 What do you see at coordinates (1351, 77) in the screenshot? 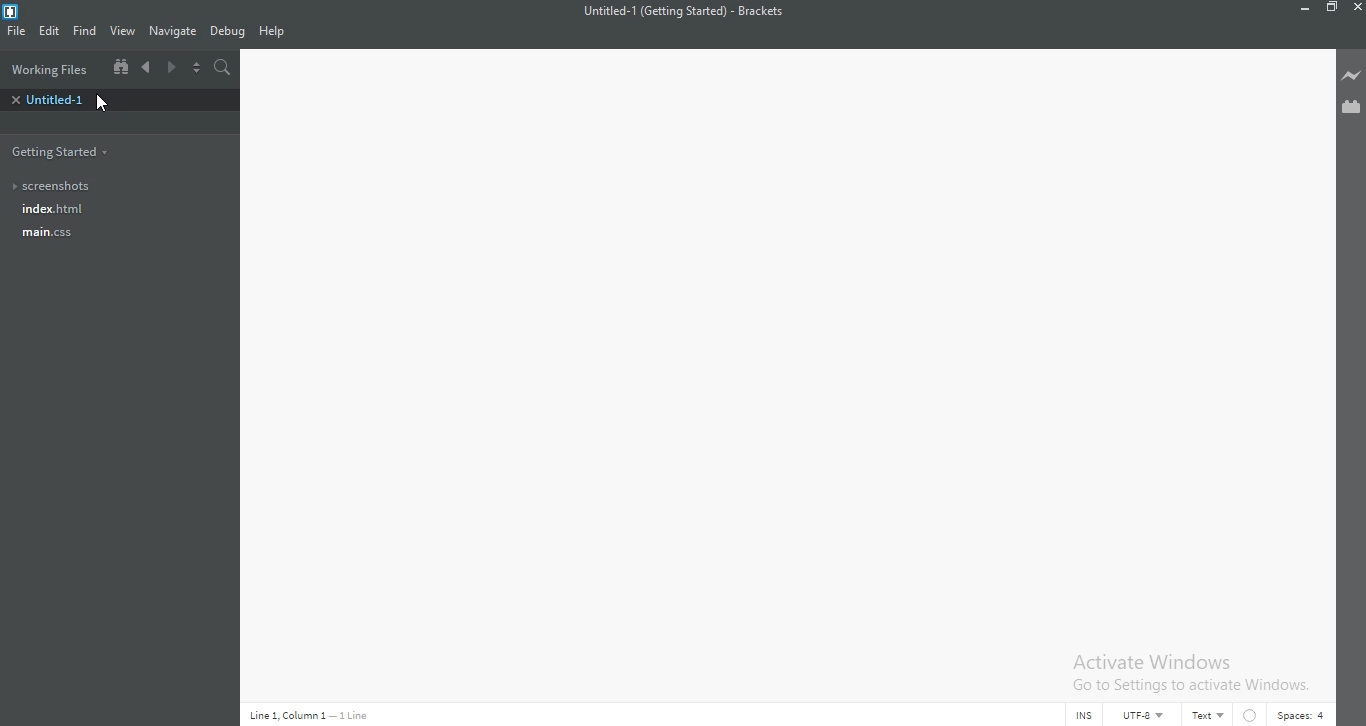
I see `Live preview` at bounding box center [1351, 77].